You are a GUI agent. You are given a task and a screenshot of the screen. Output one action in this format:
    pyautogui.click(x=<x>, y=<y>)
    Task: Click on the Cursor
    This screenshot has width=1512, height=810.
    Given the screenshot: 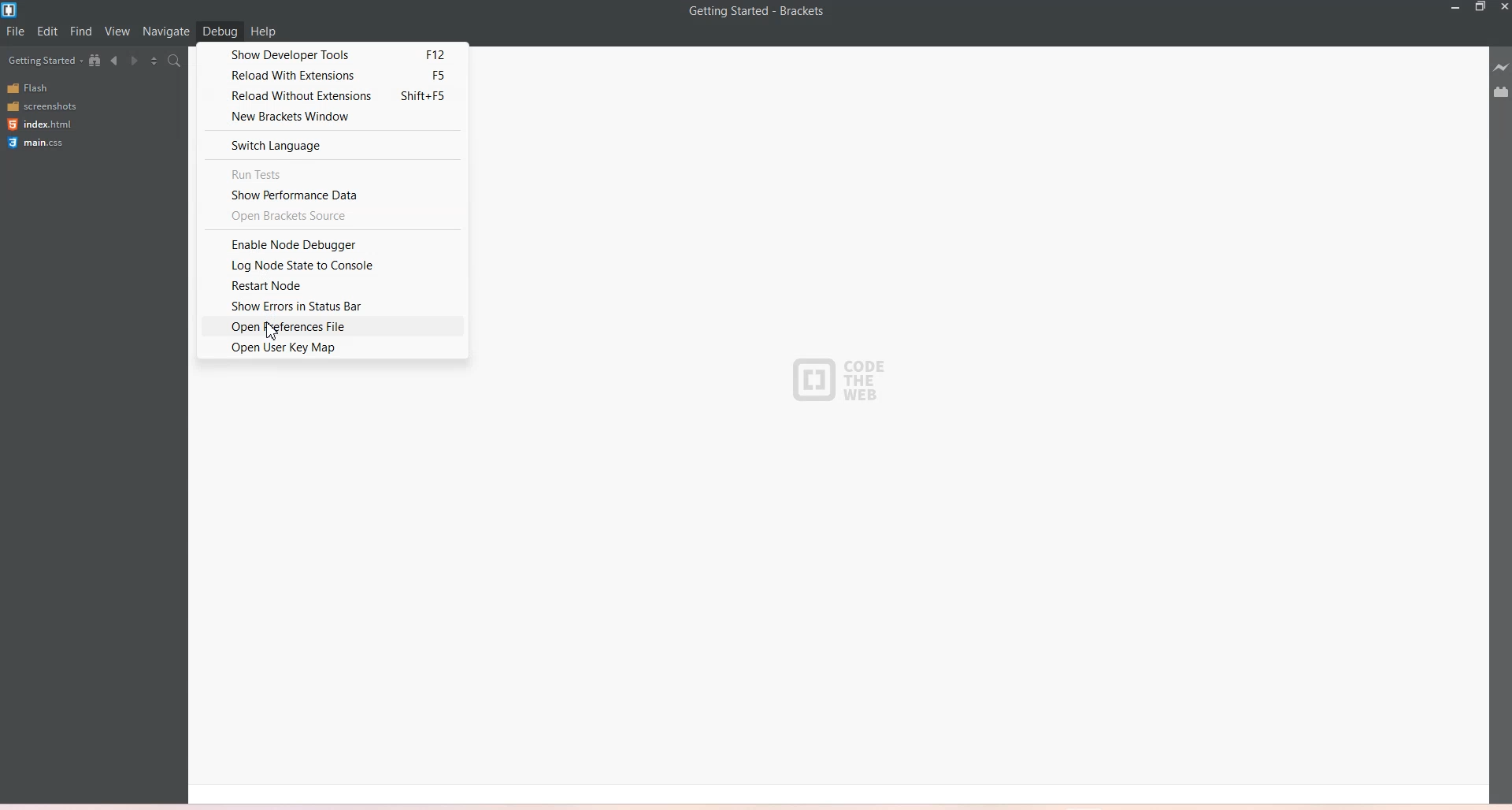 What is the action you would take?
    pyautogui.click(x=274, y=330)
    